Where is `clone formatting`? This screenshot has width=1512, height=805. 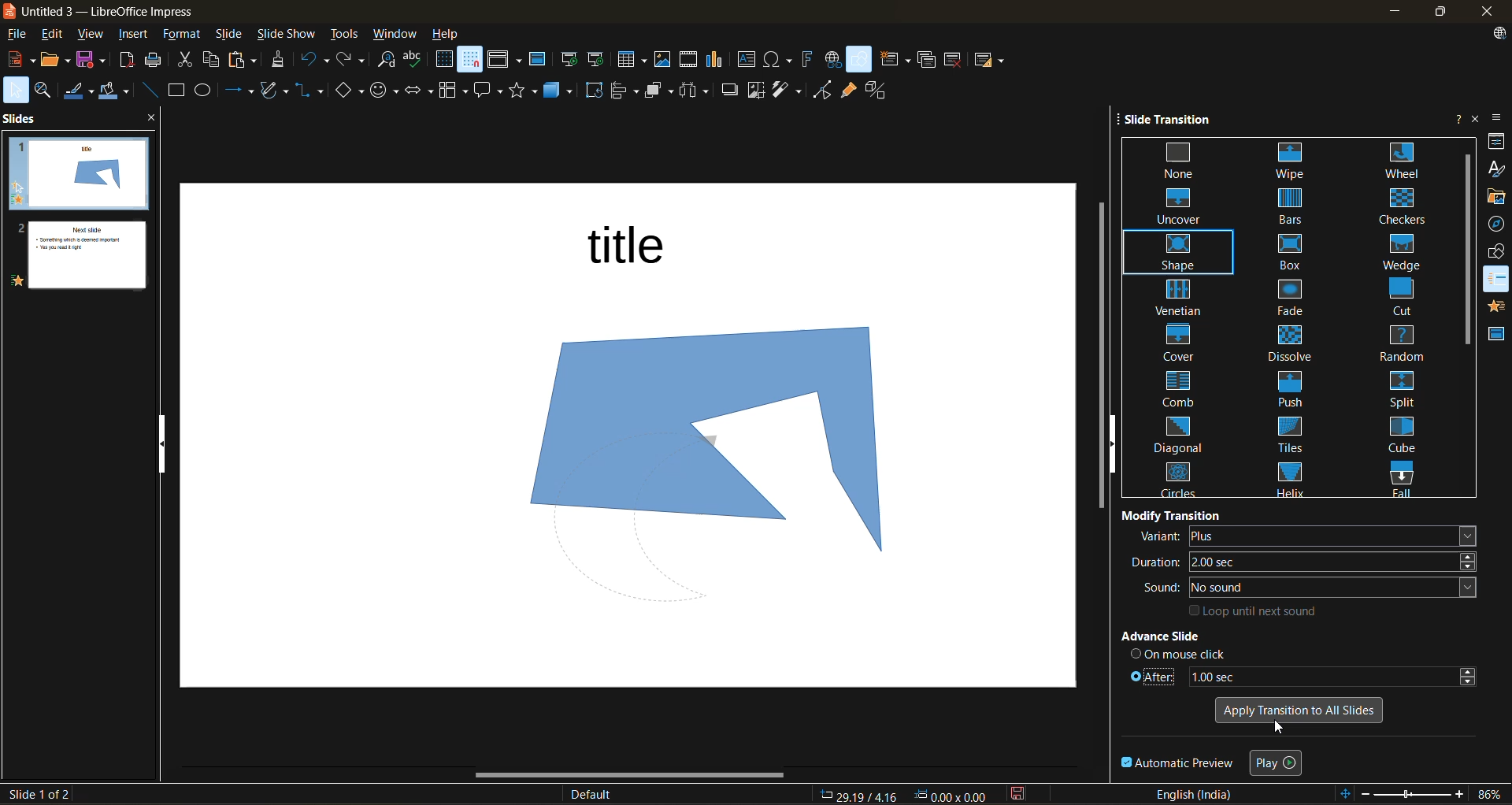
clone formatting is located at coordinates (283, 61).